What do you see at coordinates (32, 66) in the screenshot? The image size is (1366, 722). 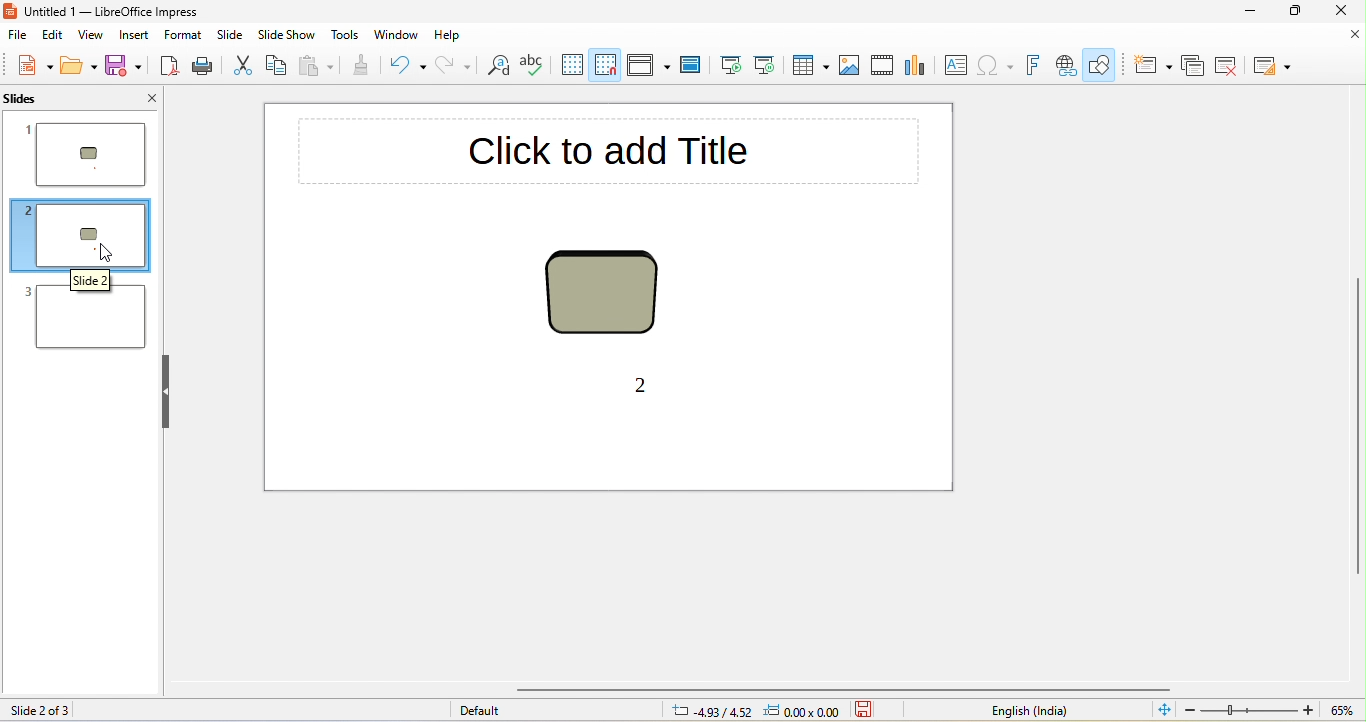 I see `new` at bounding box center [32, 66].